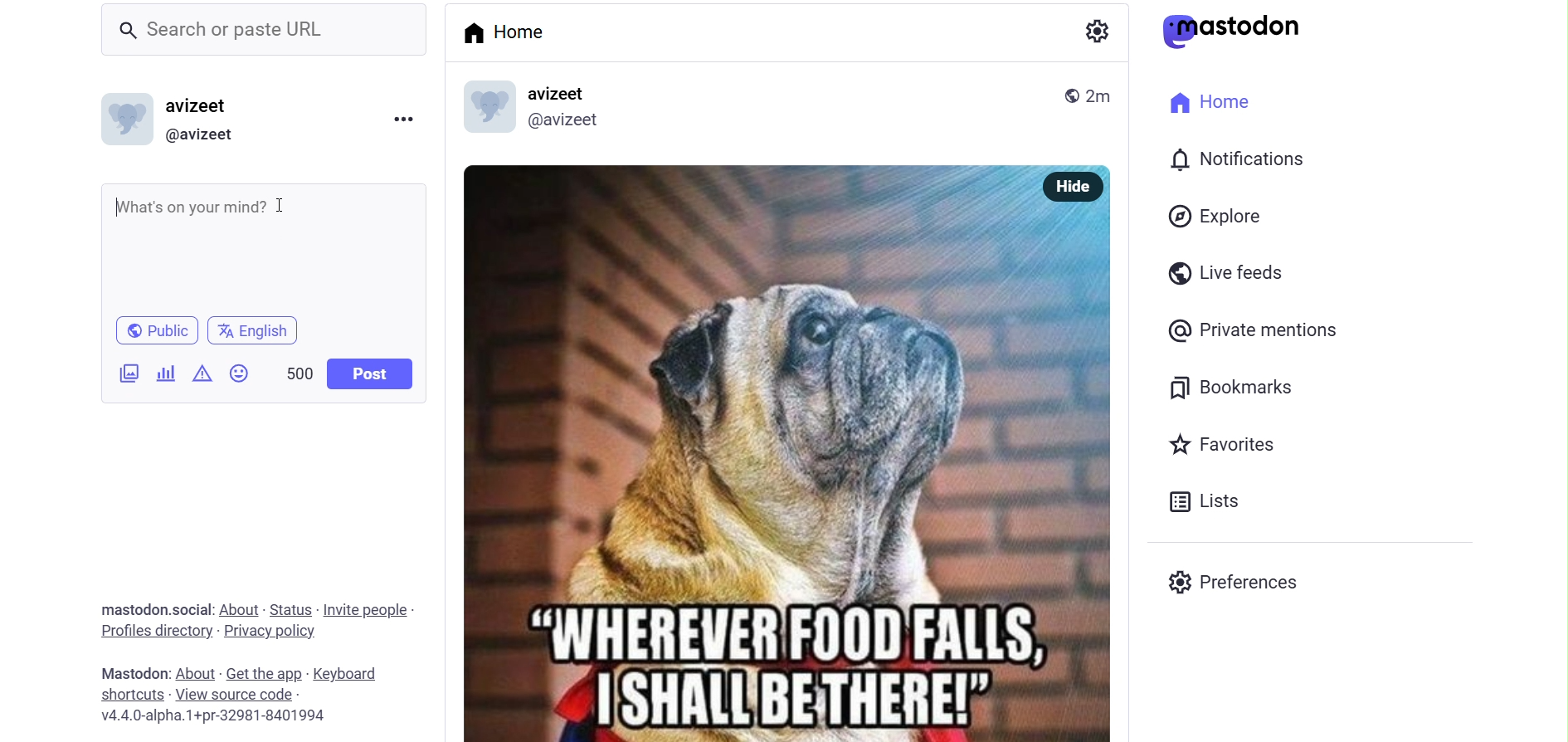 The width and height of the screenshot is (1568, 742). I want to click on setting, so click(1092, 32).